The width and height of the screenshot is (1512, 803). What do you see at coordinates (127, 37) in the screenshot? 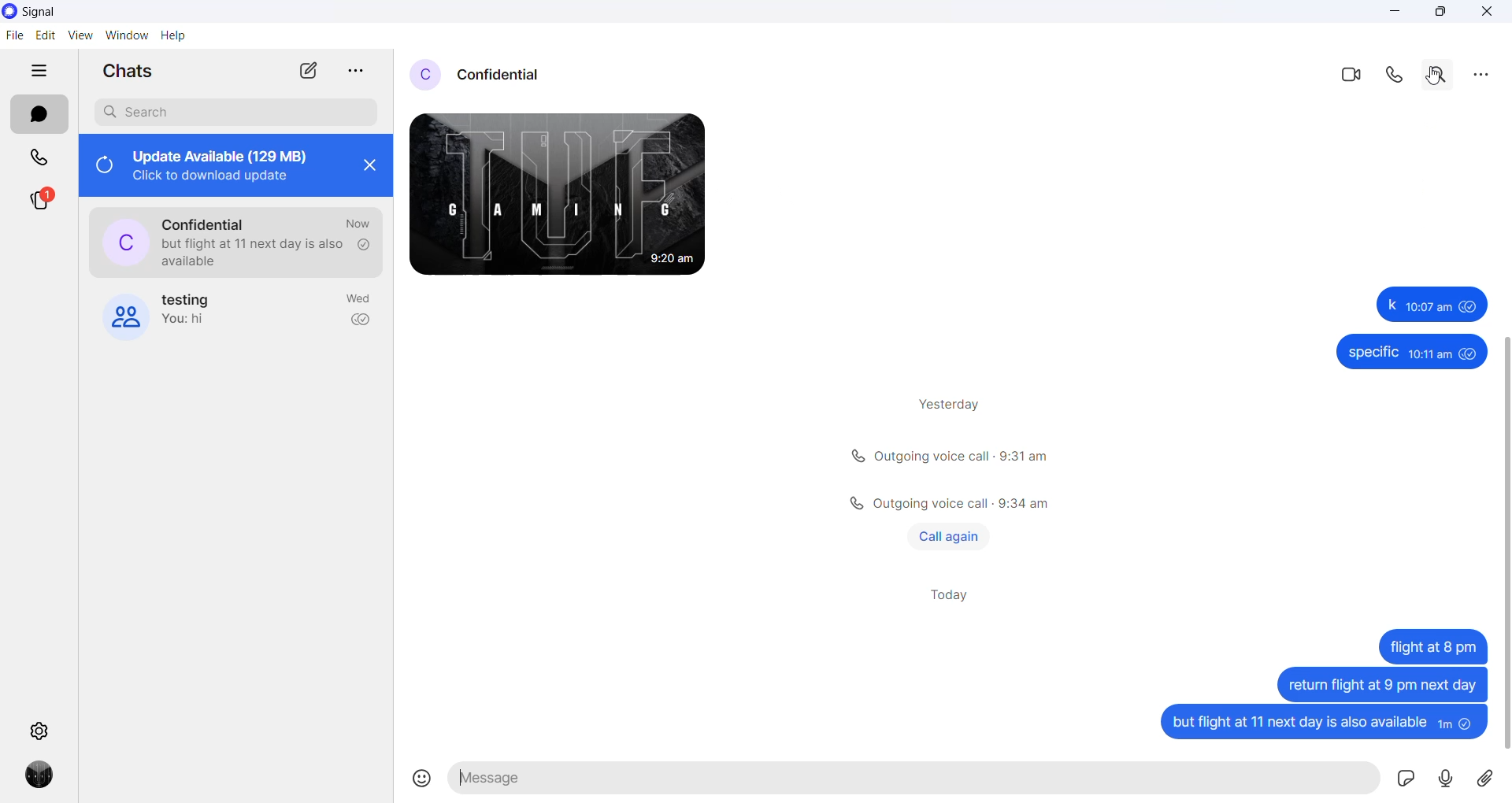
I see `window` at bounding box center [127, 37].